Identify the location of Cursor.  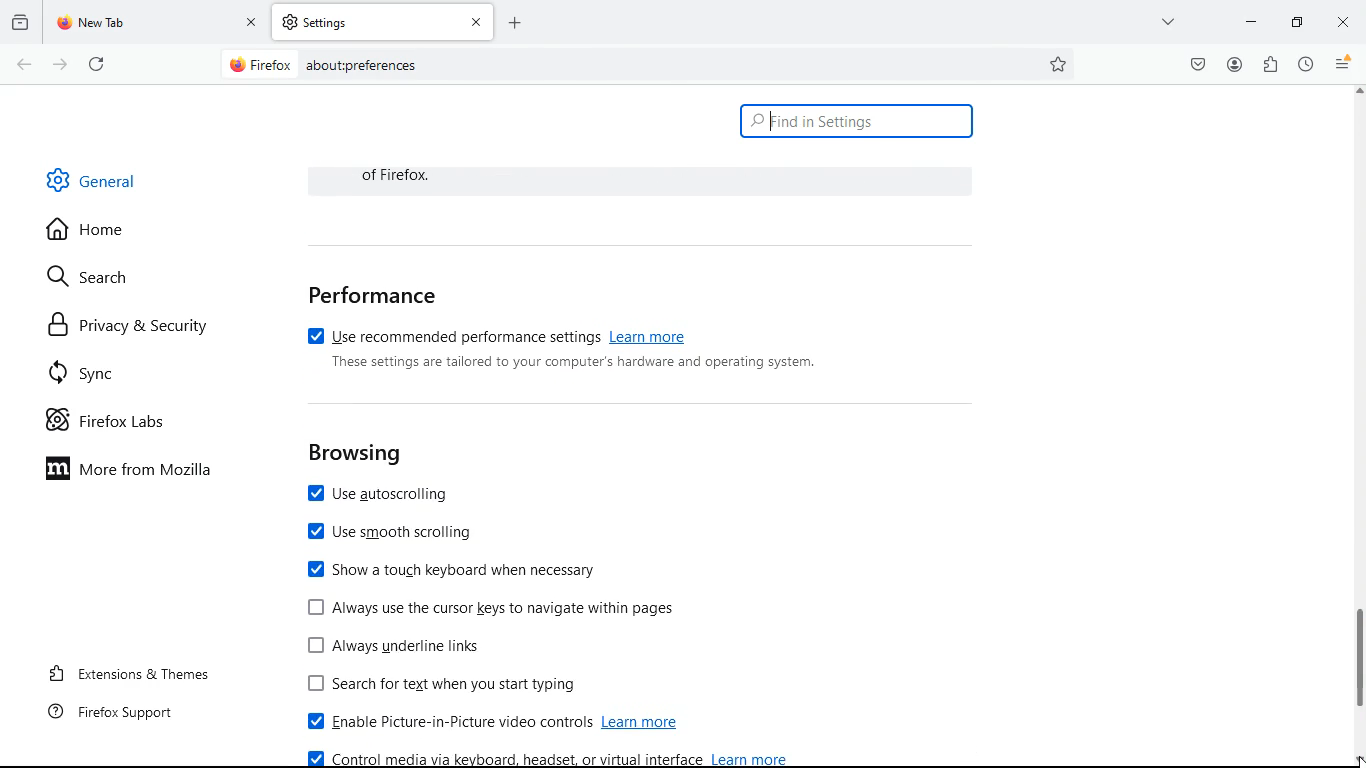
(1357, 759).